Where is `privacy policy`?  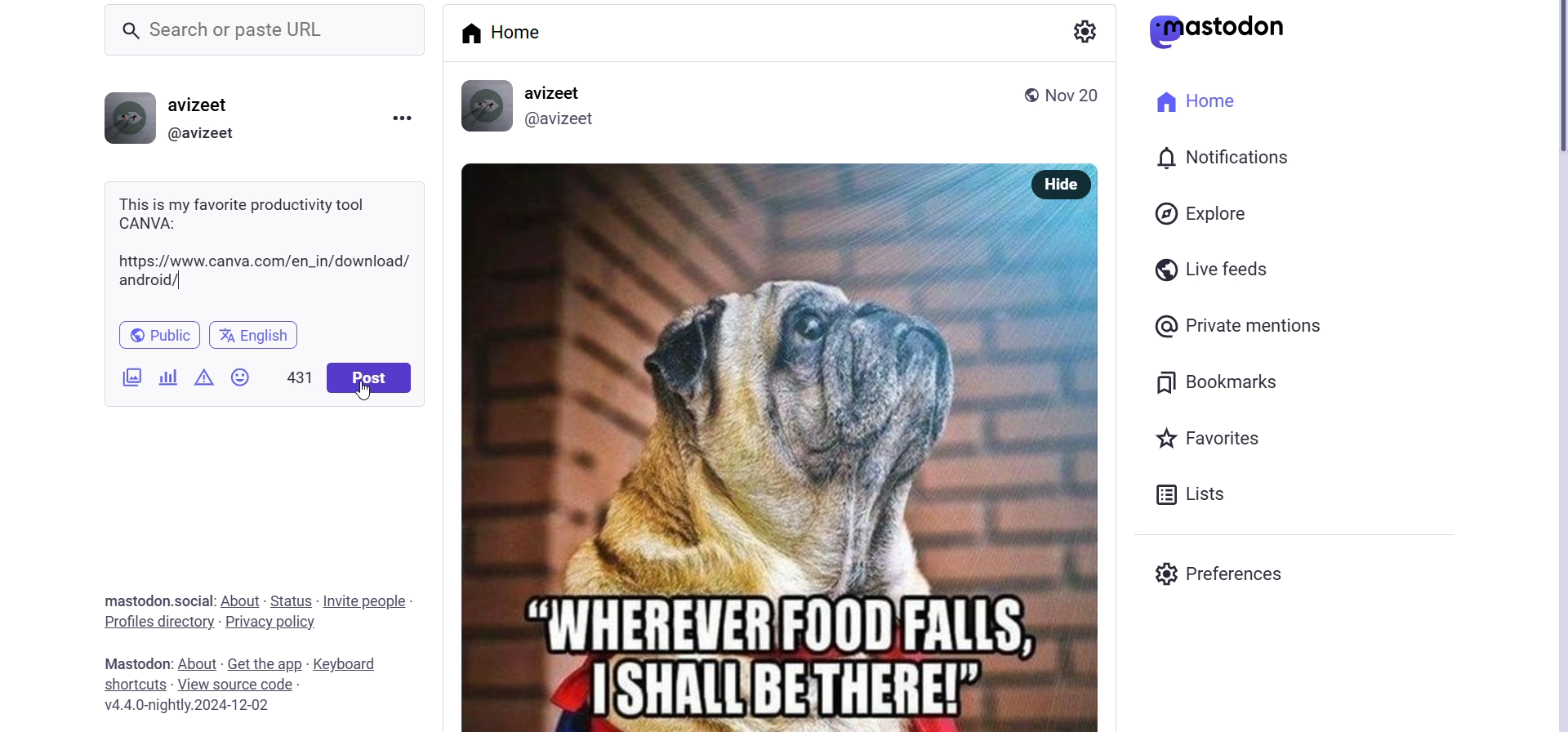
privacy policy is located at coordinates (283, 625).